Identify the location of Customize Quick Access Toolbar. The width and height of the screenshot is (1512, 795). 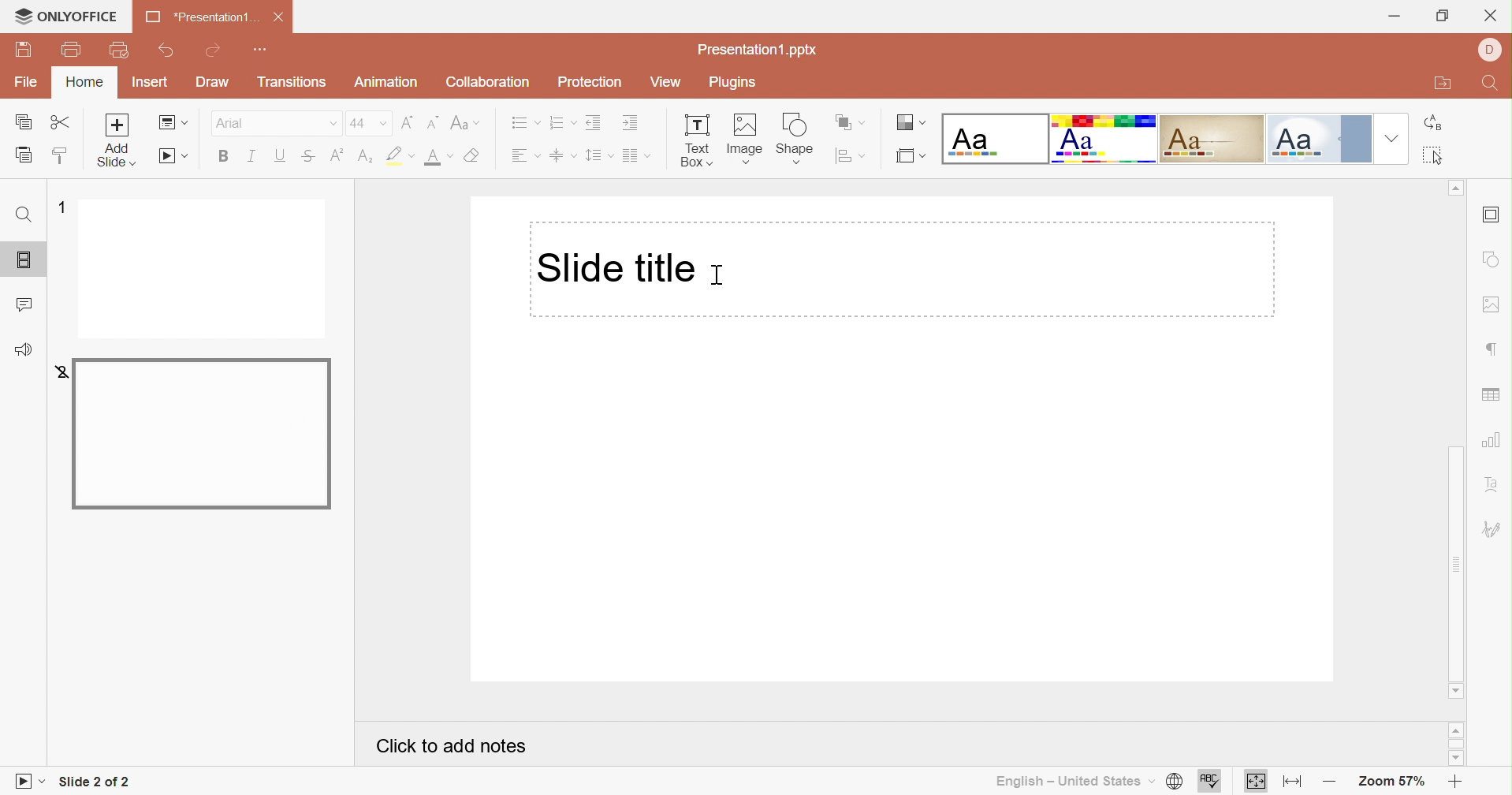
(264, 50).